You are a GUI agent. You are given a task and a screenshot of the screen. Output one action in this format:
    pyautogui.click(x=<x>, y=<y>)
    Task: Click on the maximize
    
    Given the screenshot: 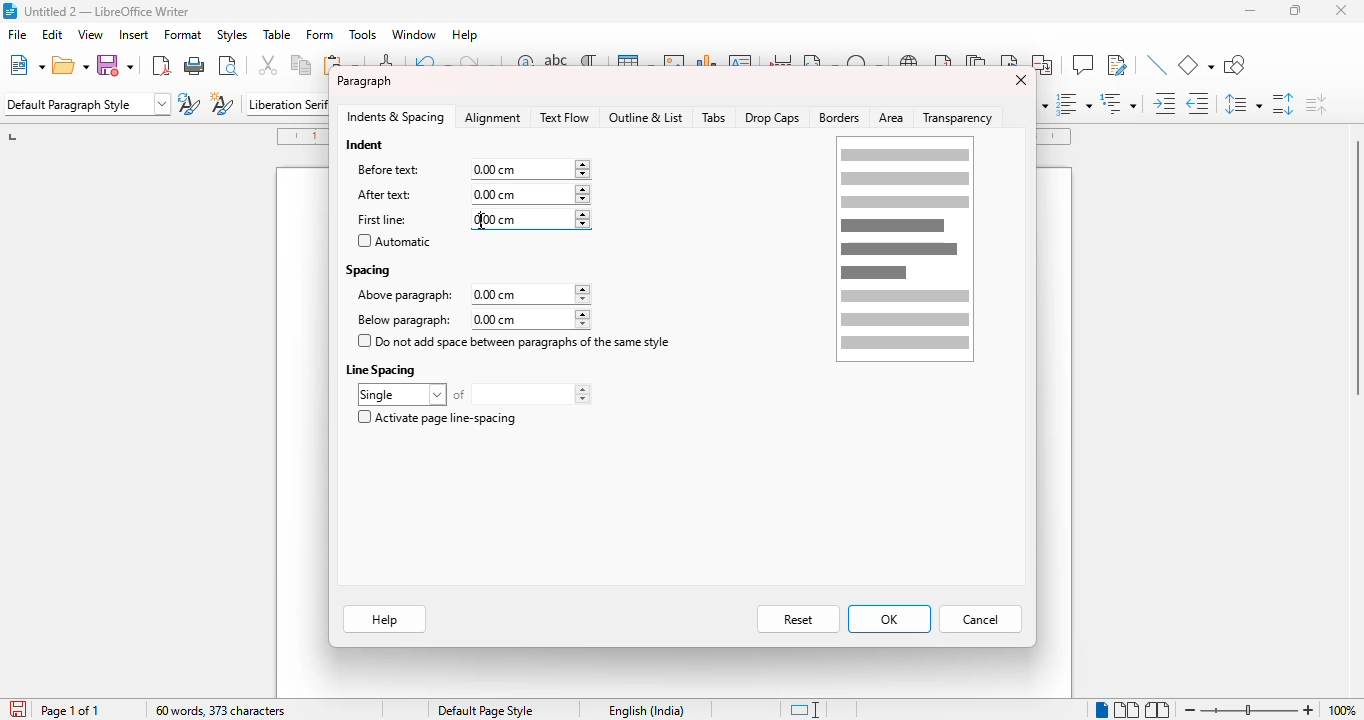 What is the action you would take?
    pyautogui.click(x=1296, y=10)
    